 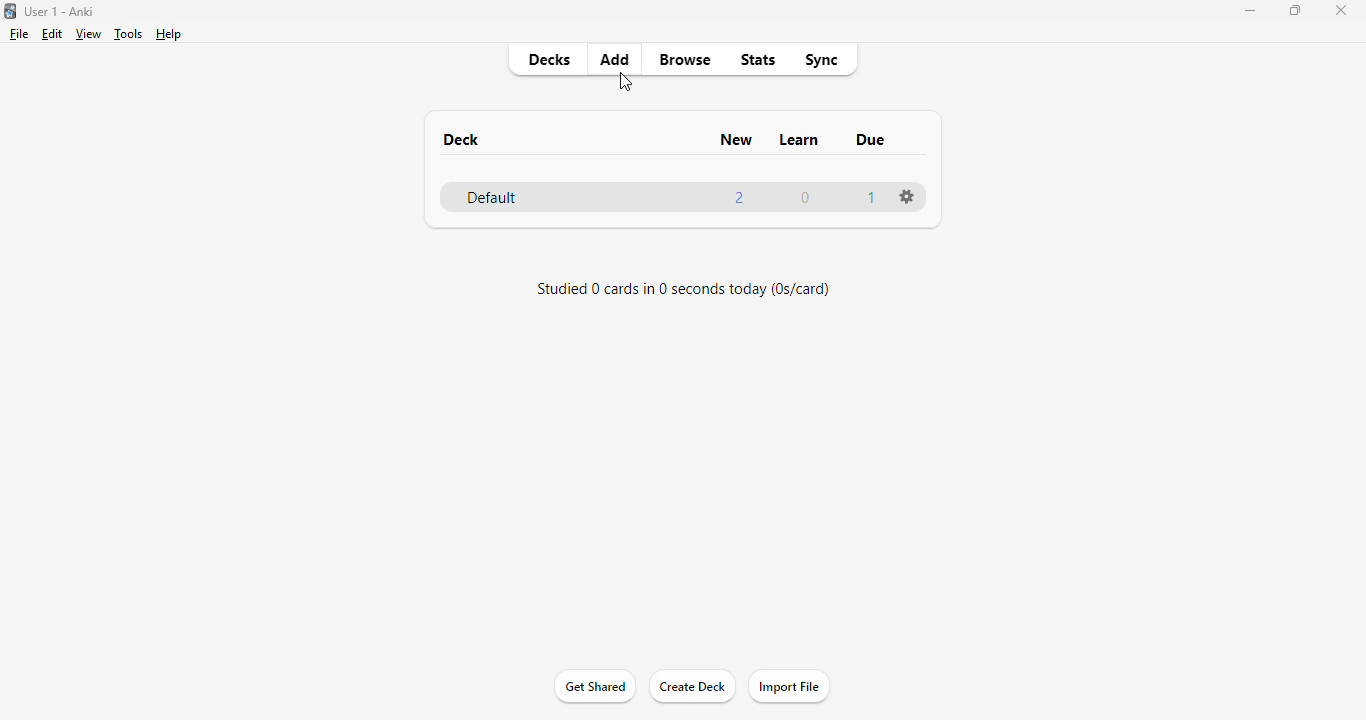 What do you see at coordinates (692, 687) in the screenshot?
I see `create deck` at bounding box center [692, 687].